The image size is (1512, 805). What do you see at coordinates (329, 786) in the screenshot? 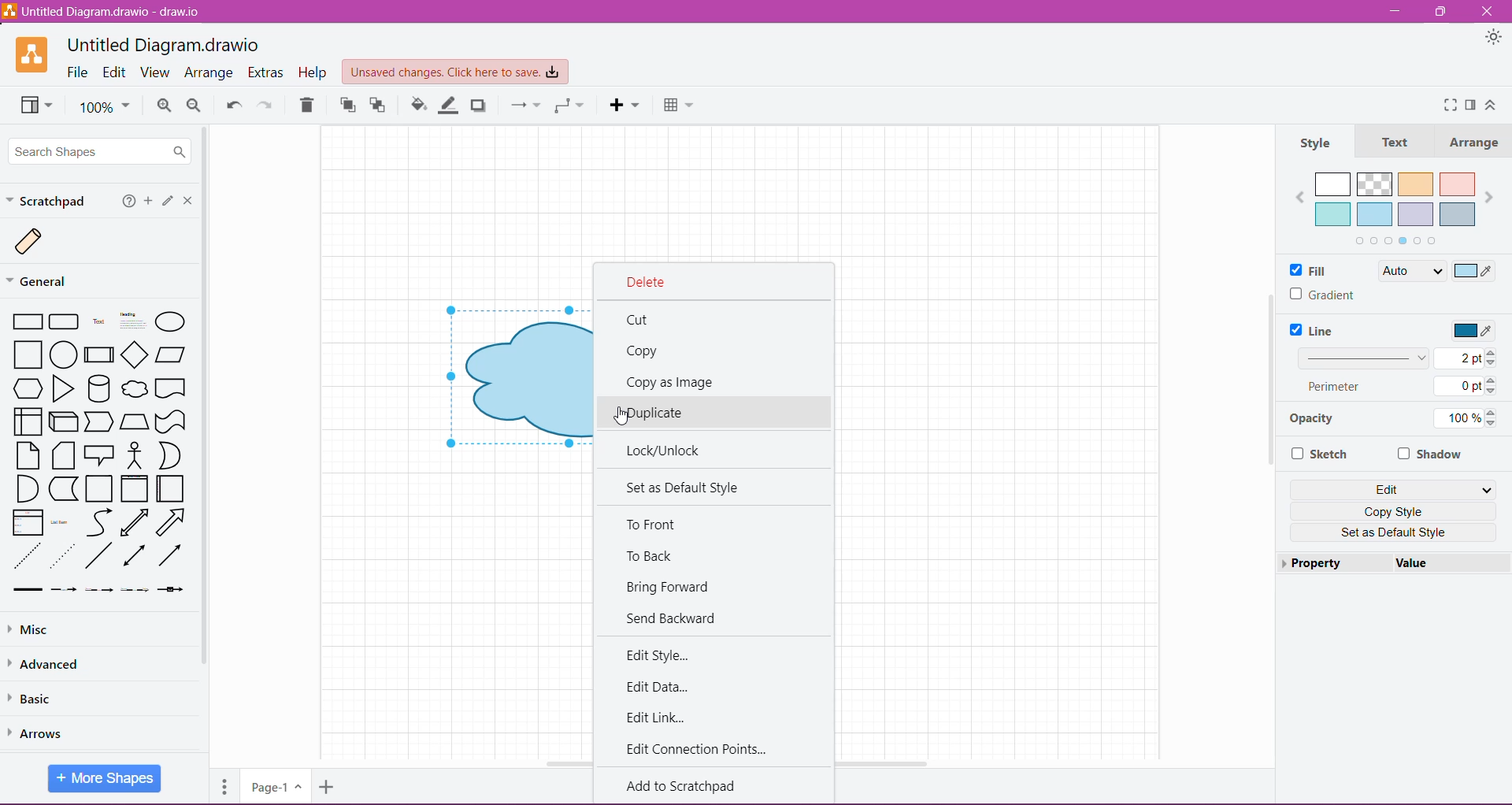
I see `Insert Page` at bounding box center [329, 786].